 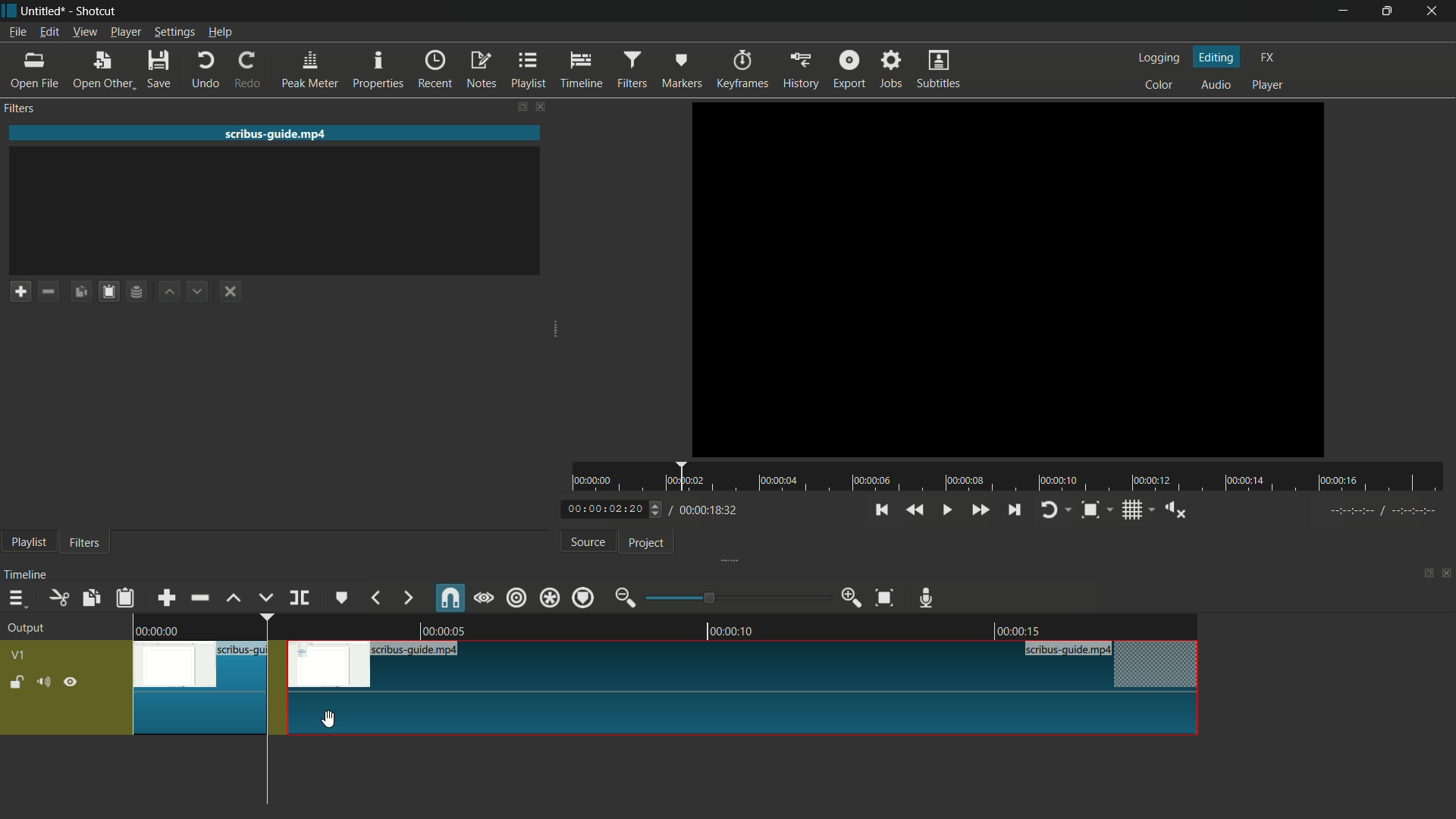 I want to click on change layout, so click(x=519, y=105).